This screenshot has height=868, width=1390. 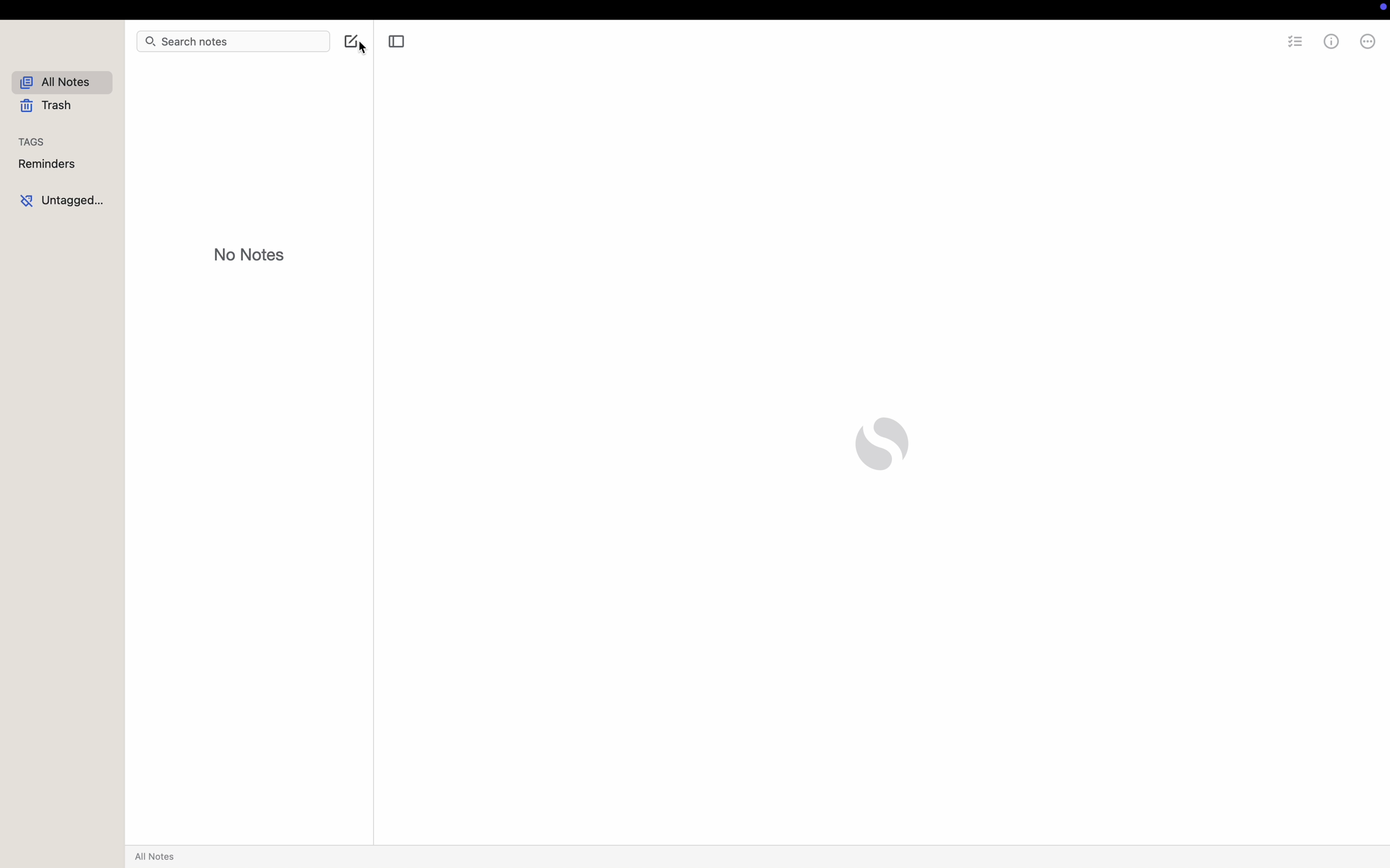 What do you see at coordinates (46, 106) in the screenshot?
I see `trash` at bounding box center [46, 106].